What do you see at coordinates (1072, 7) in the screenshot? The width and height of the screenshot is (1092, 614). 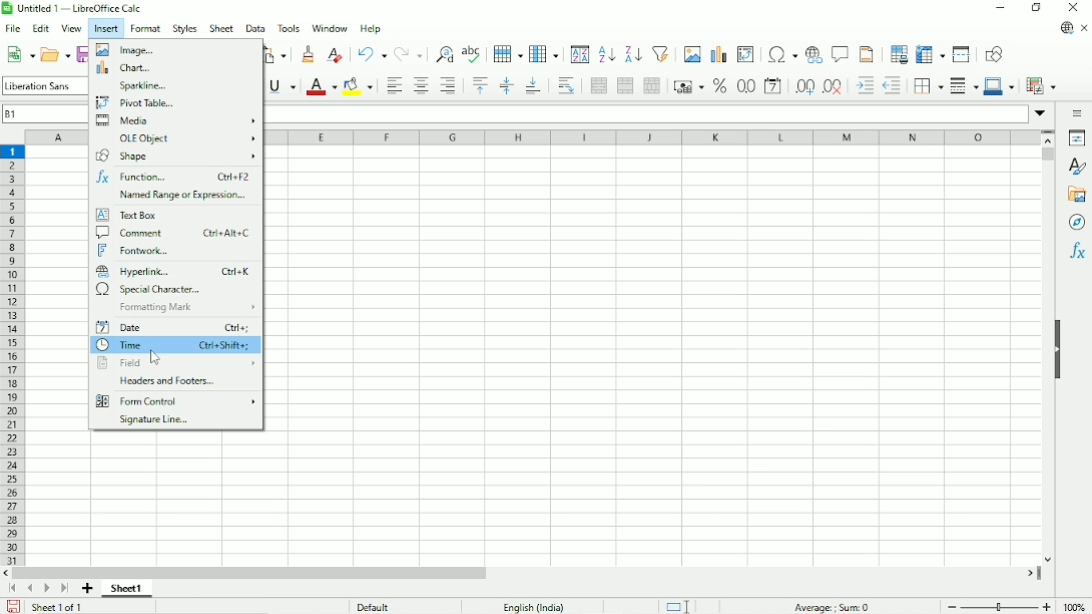 I see `Close` at bounding box center [1072, 7].